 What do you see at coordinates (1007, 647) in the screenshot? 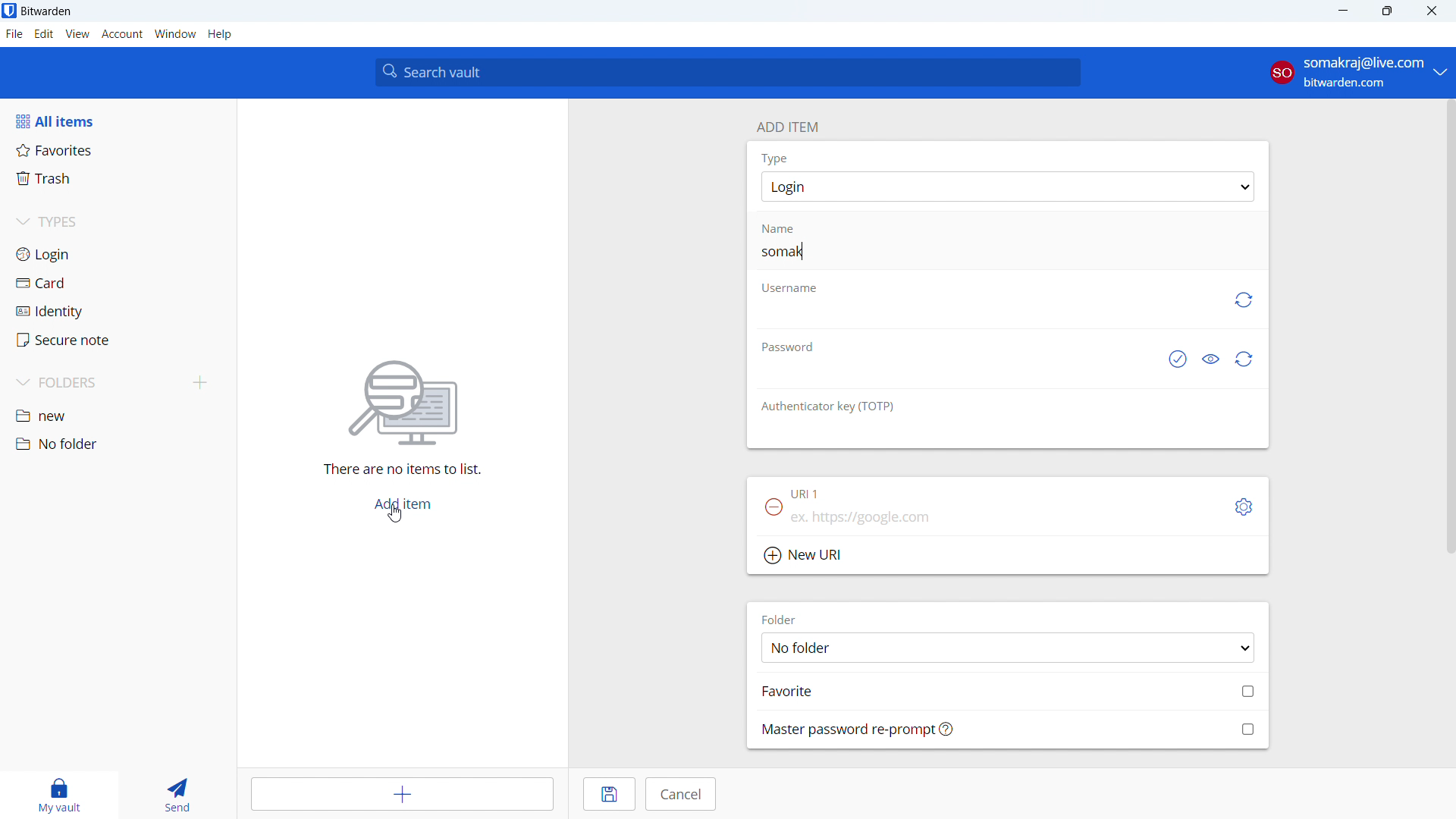
I see `select folder` at bounding box center [1007, 647].